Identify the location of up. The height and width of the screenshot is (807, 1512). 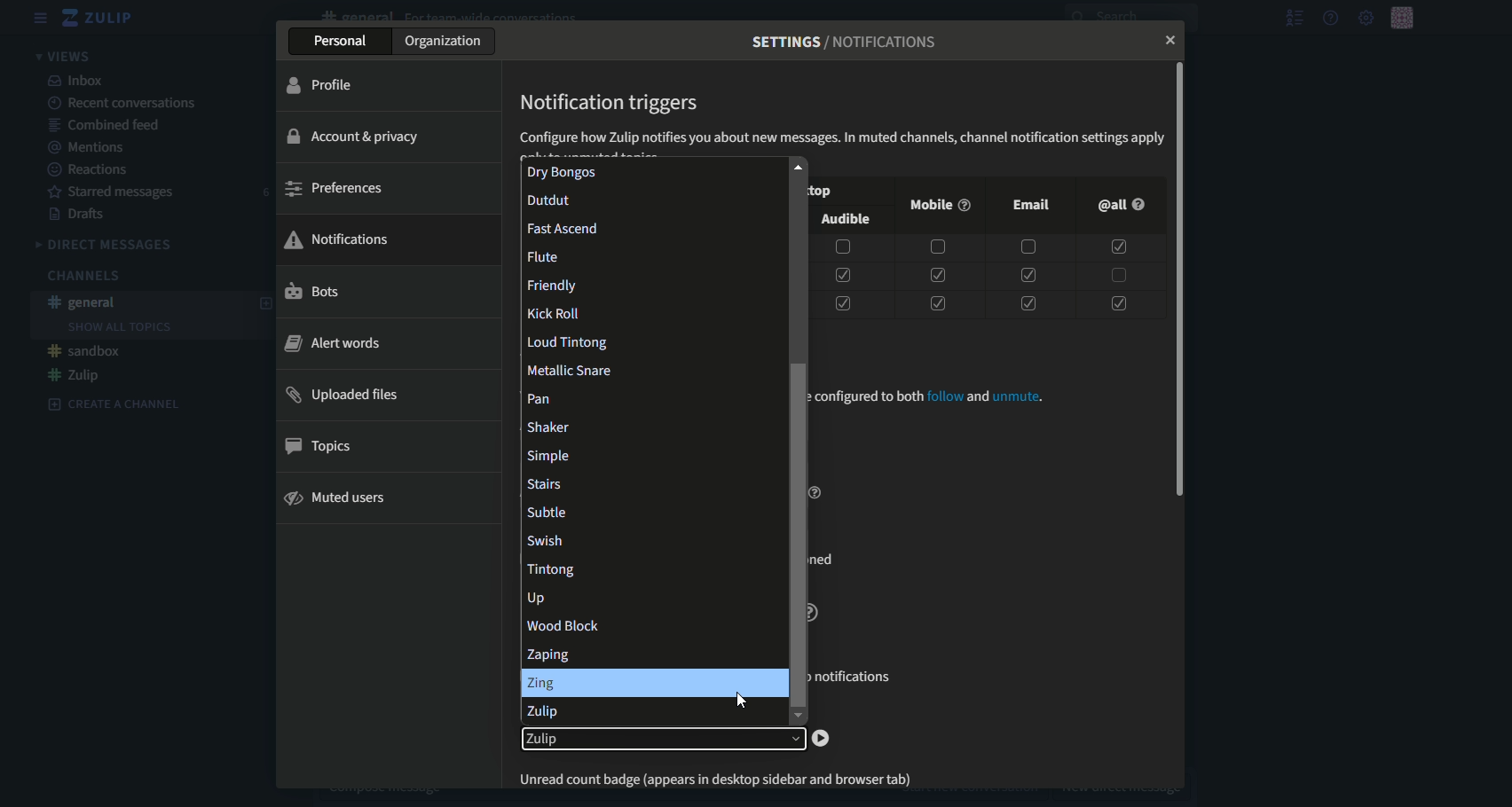
(651, 597).